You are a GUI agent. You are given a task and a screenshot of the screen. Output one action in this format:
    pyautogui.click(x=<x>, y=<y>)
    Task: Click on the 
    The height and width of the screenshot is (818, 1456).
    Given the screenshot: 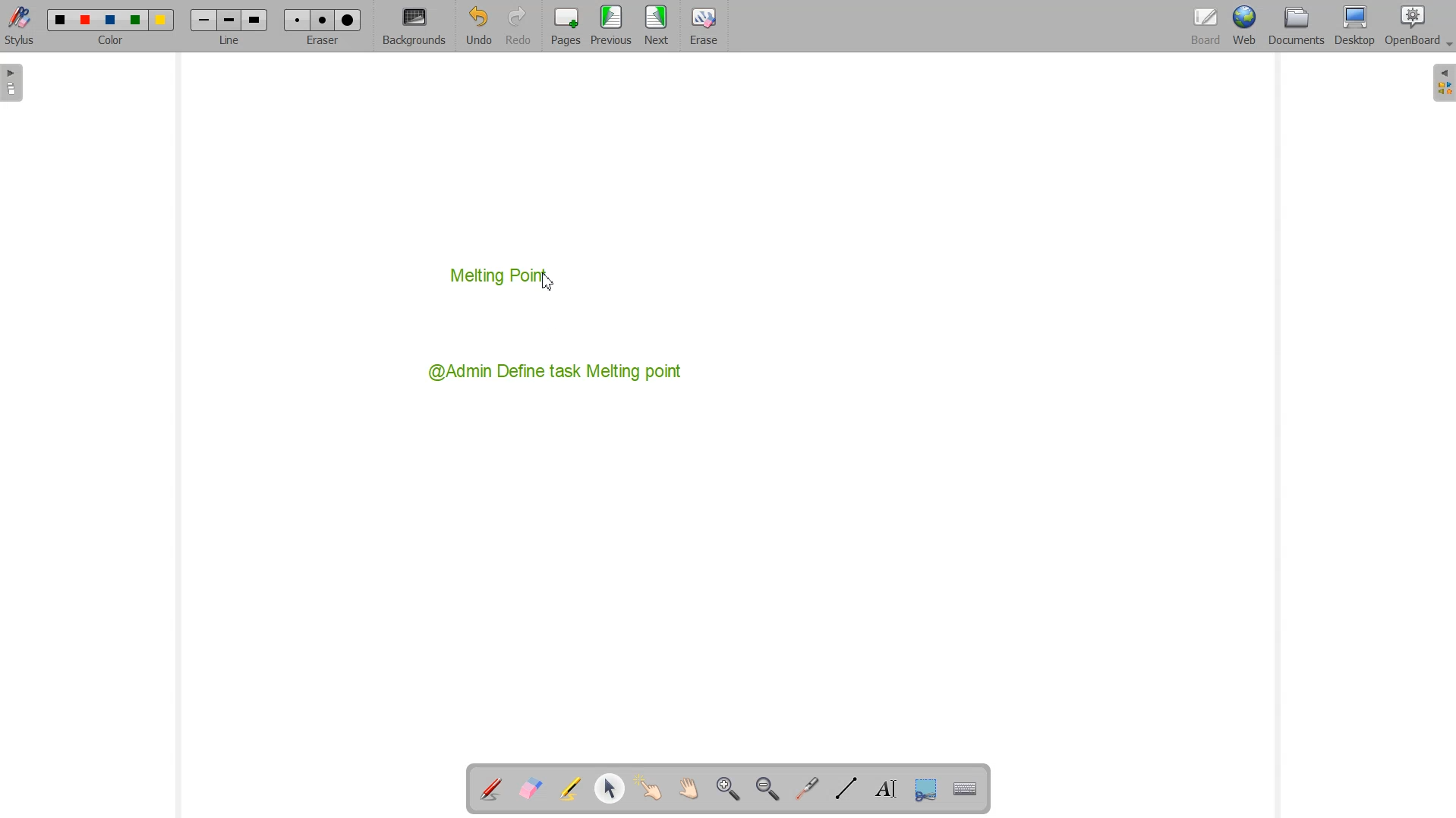 What is the action you would take?
    pyautogui.click(x=611, y=27)
    